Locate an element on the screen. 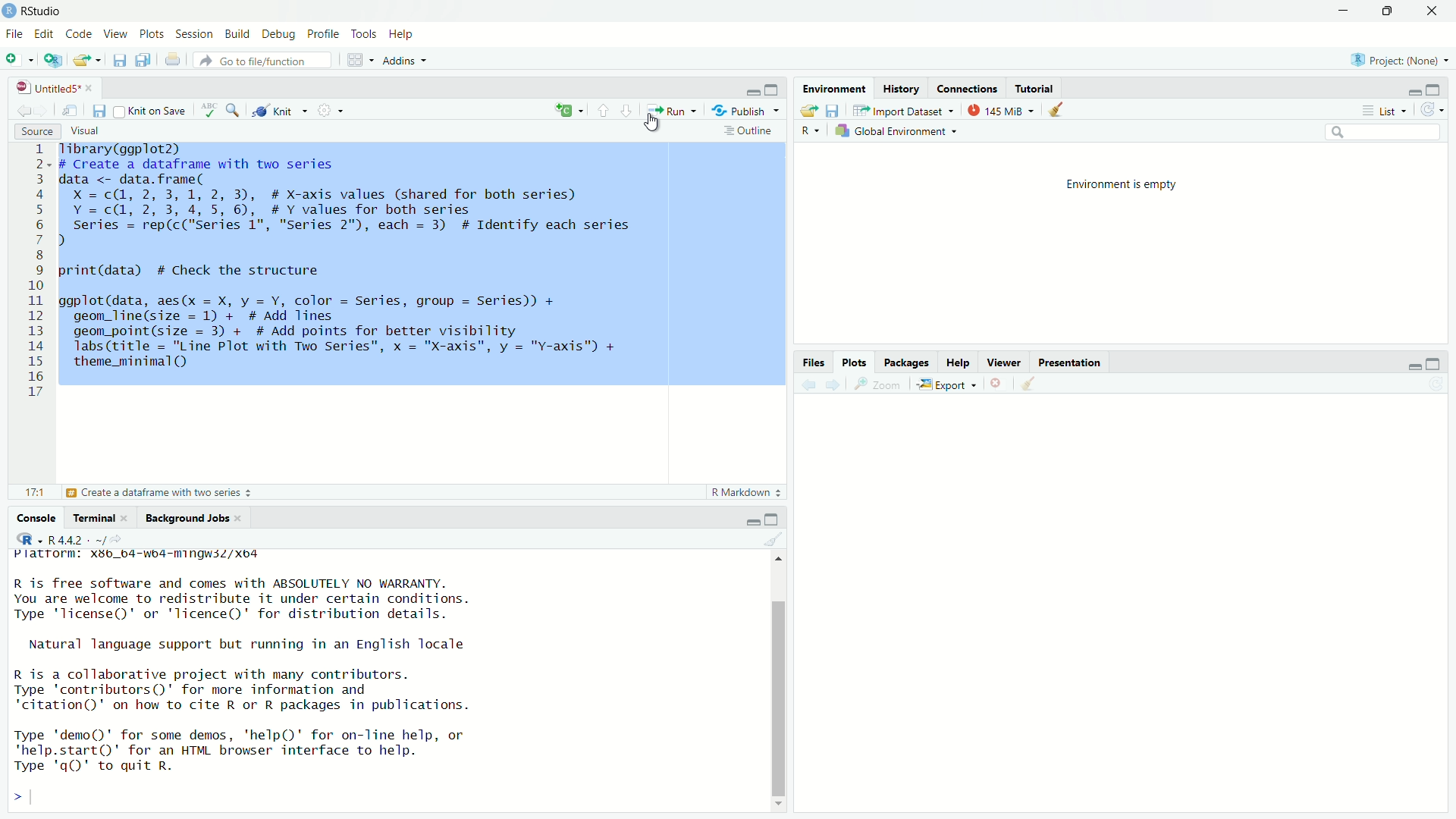 The image size is (1456, 819). Close is located at coordinates (1429, 14).